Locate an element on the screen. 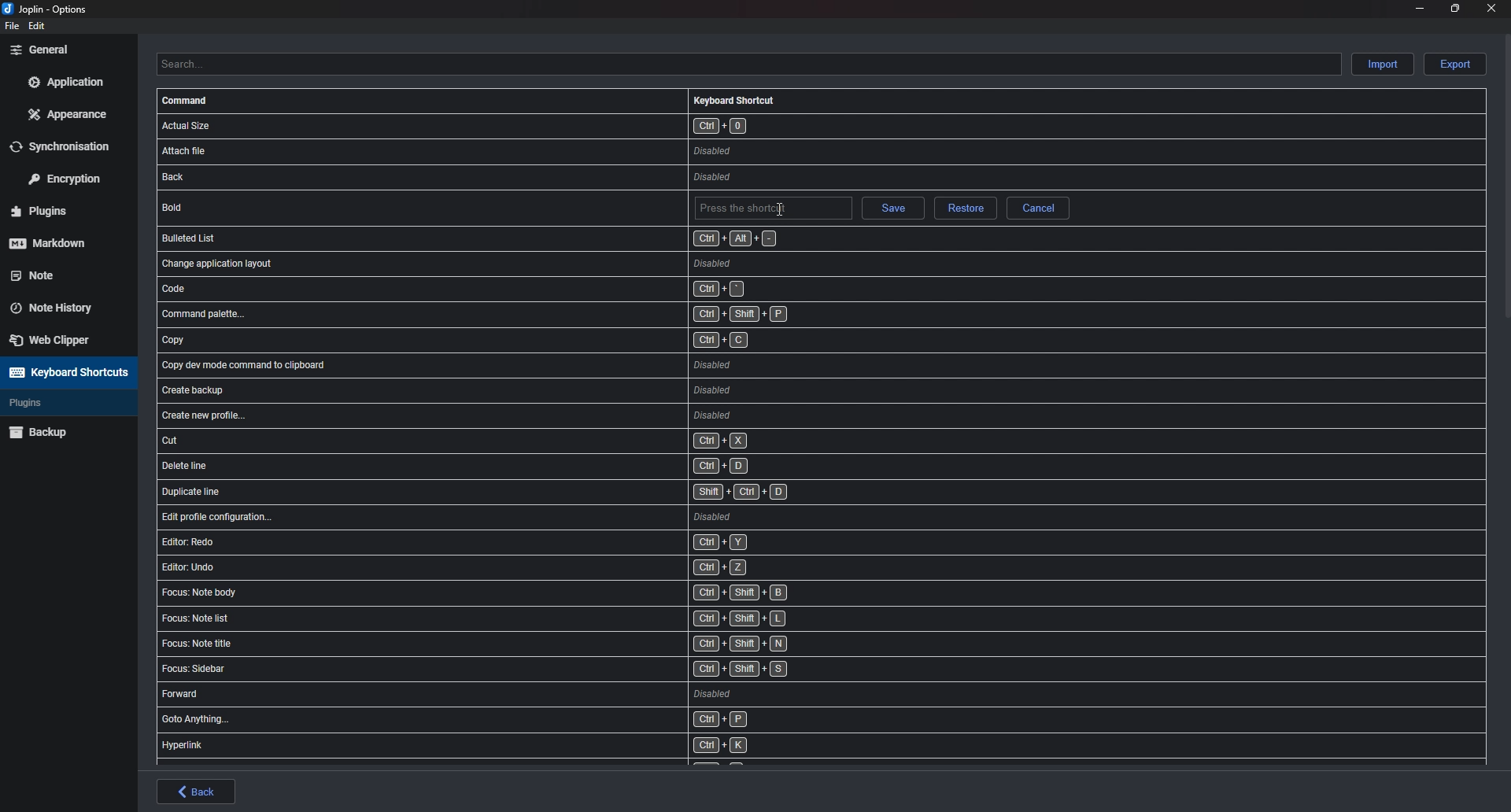 Image resolution: width=1511 pixels, height=812 pixels. Search shortcuts is located at coordinates (748, 64).